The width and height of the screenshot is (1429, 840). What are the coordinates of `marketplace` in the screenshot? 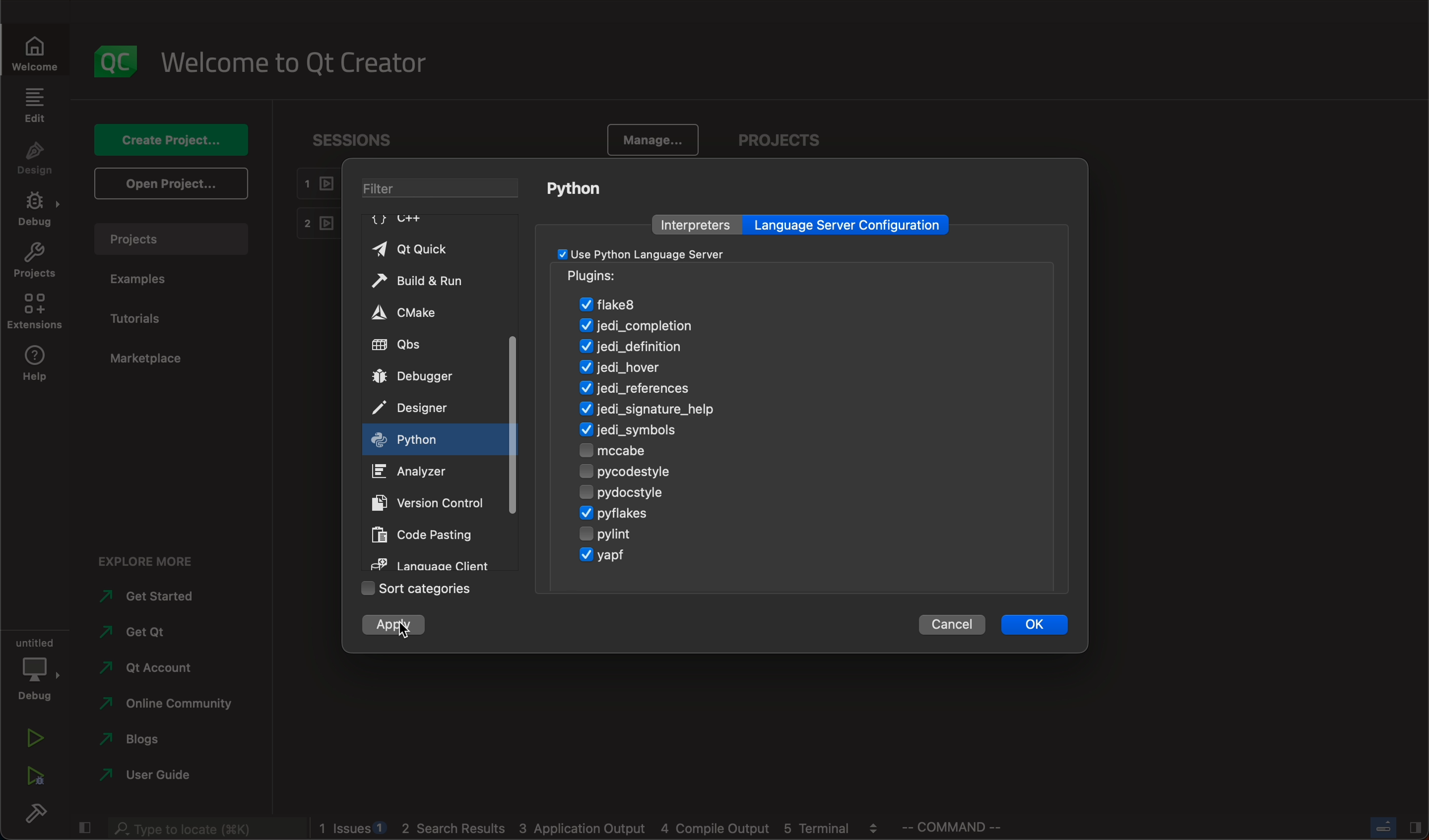 It's located at (153, 360).